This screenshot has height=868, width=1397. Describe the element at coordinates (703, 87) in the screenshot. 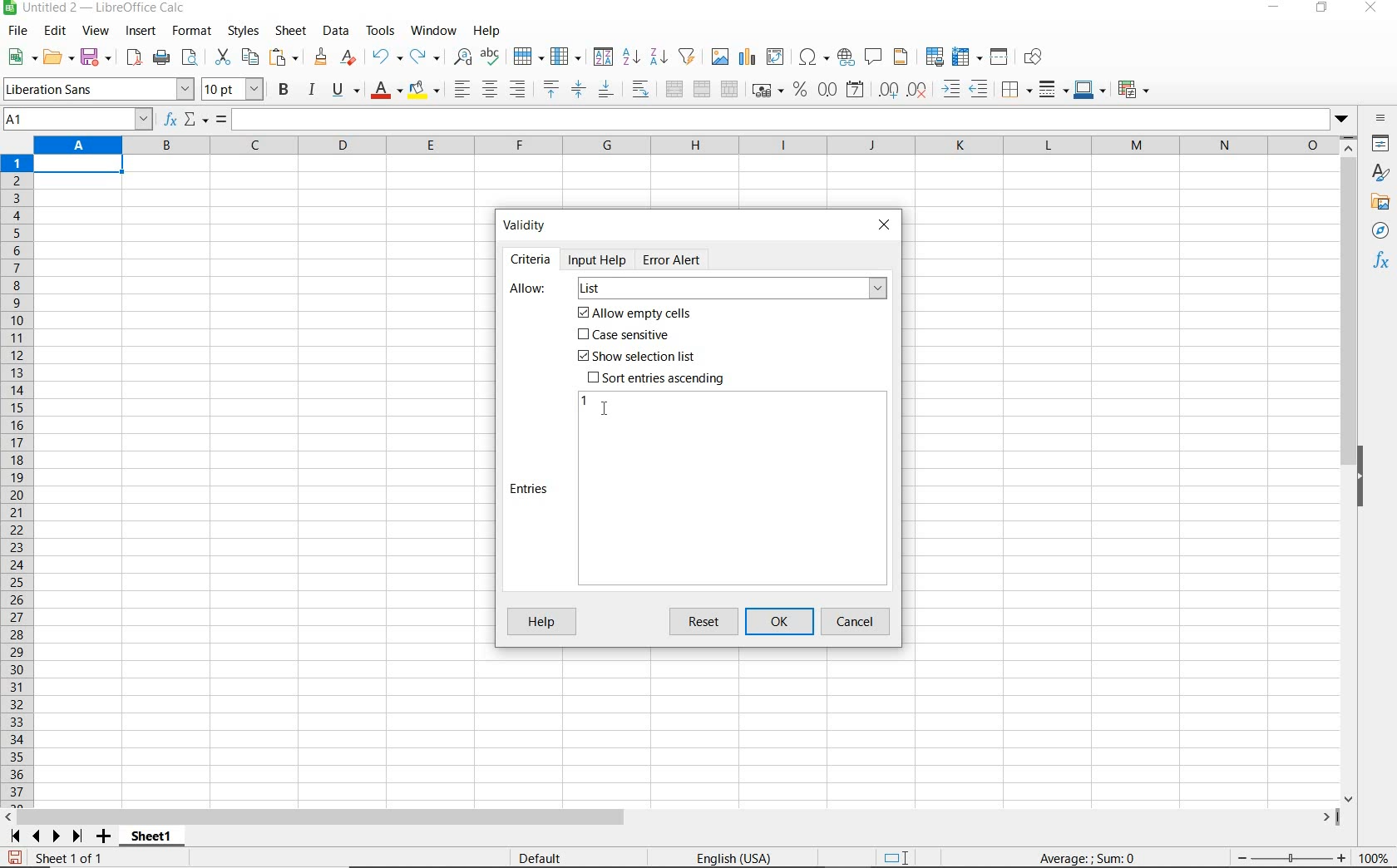

I see `merge cells` at that location.